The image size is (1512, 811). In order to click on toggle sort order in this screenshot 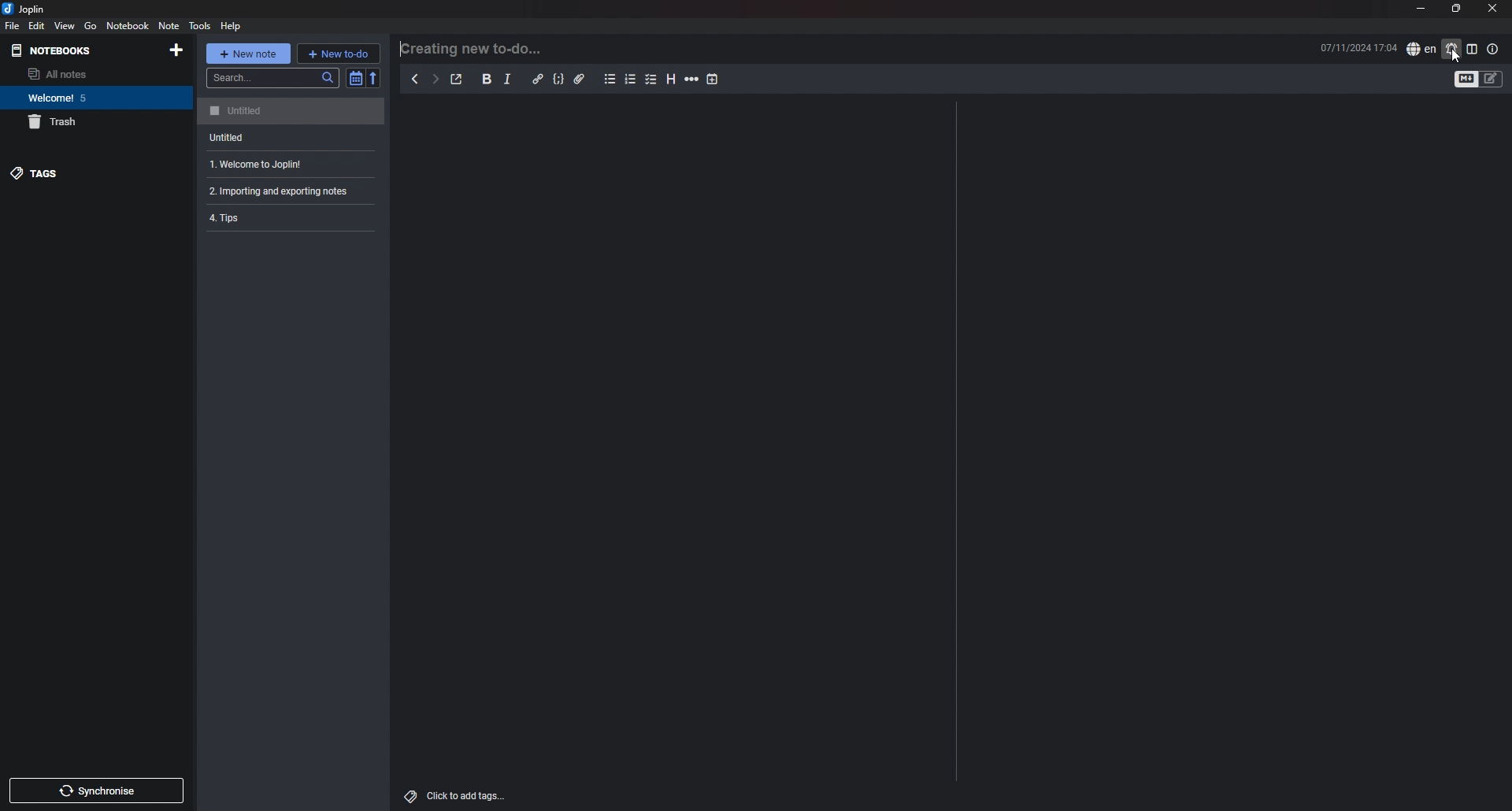, I will do `click(354, 78)`.